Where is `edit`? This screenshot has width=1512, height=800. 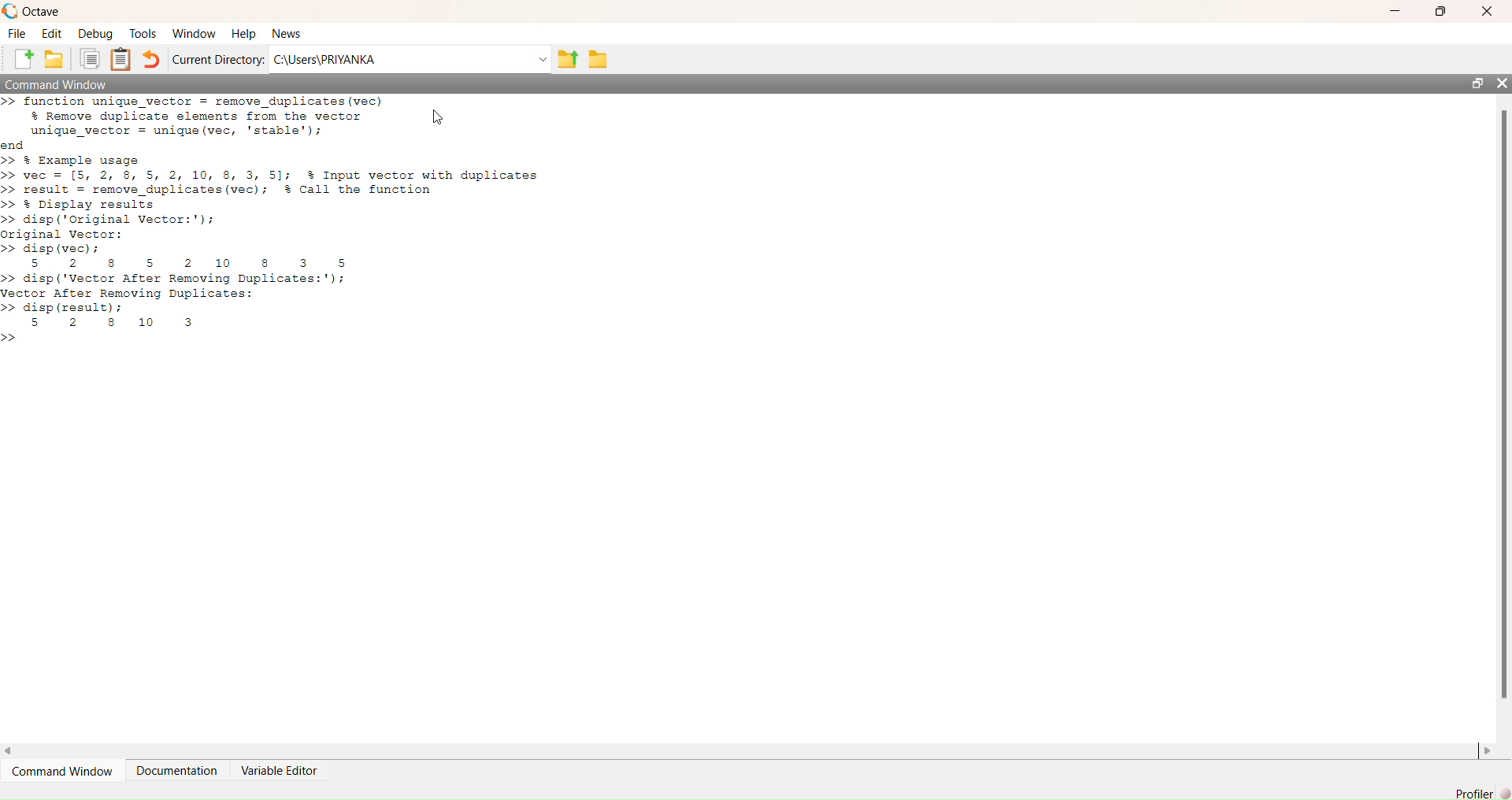
edit is located at coordinates (52, 35).